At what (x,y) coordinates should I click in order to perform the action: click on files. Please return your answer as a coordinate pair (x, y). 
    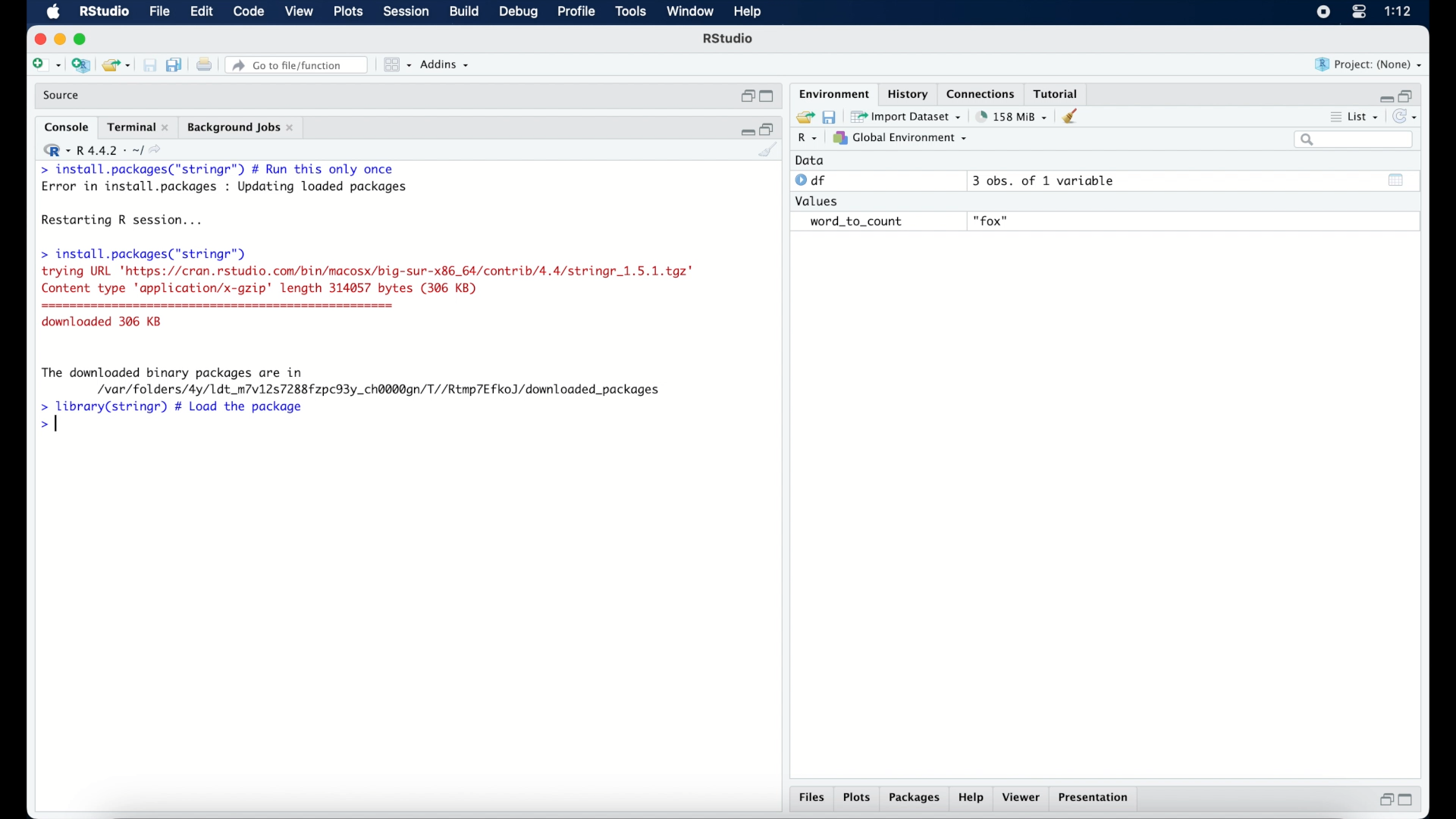
    Looking at the image, I should click on (814, 798).